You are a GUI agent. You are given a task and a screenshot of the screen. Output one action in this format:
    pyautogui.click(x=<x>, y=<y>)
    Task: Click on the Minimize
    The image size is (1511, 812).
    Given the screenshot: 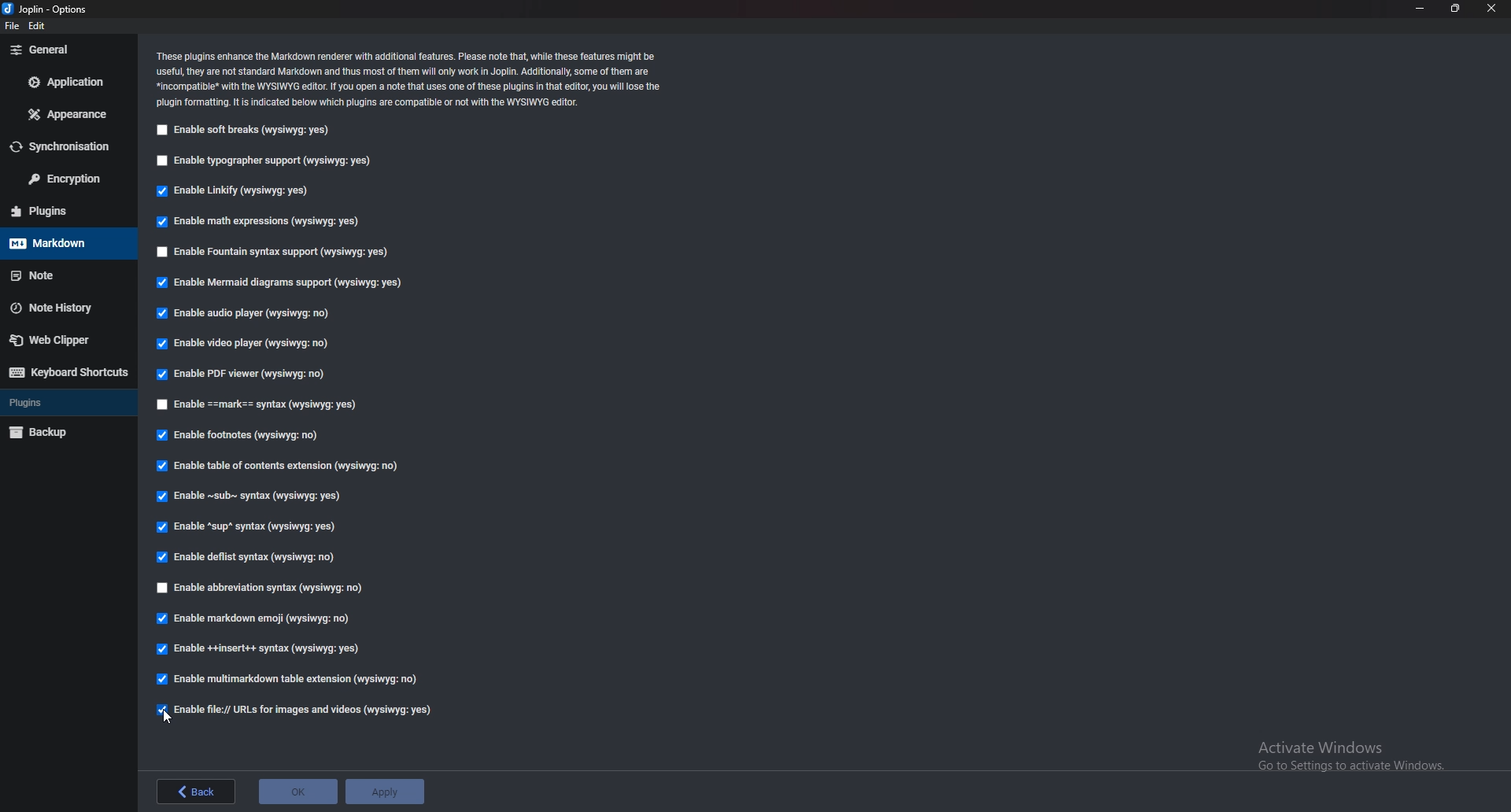 What is the action you would take?
    pyautogui.click(x=1420, y=9)
    